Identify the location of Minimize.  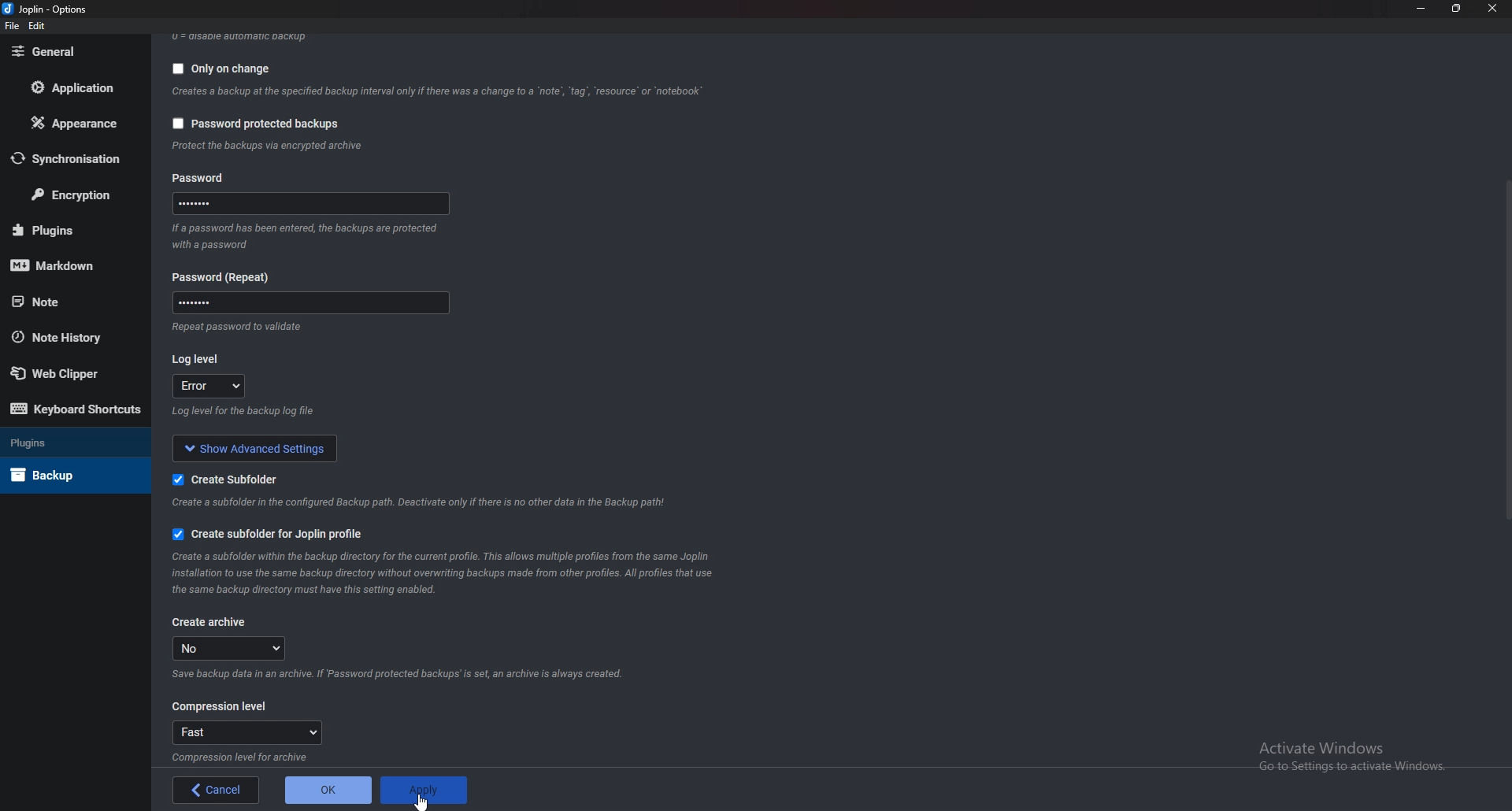
(1421, 7).